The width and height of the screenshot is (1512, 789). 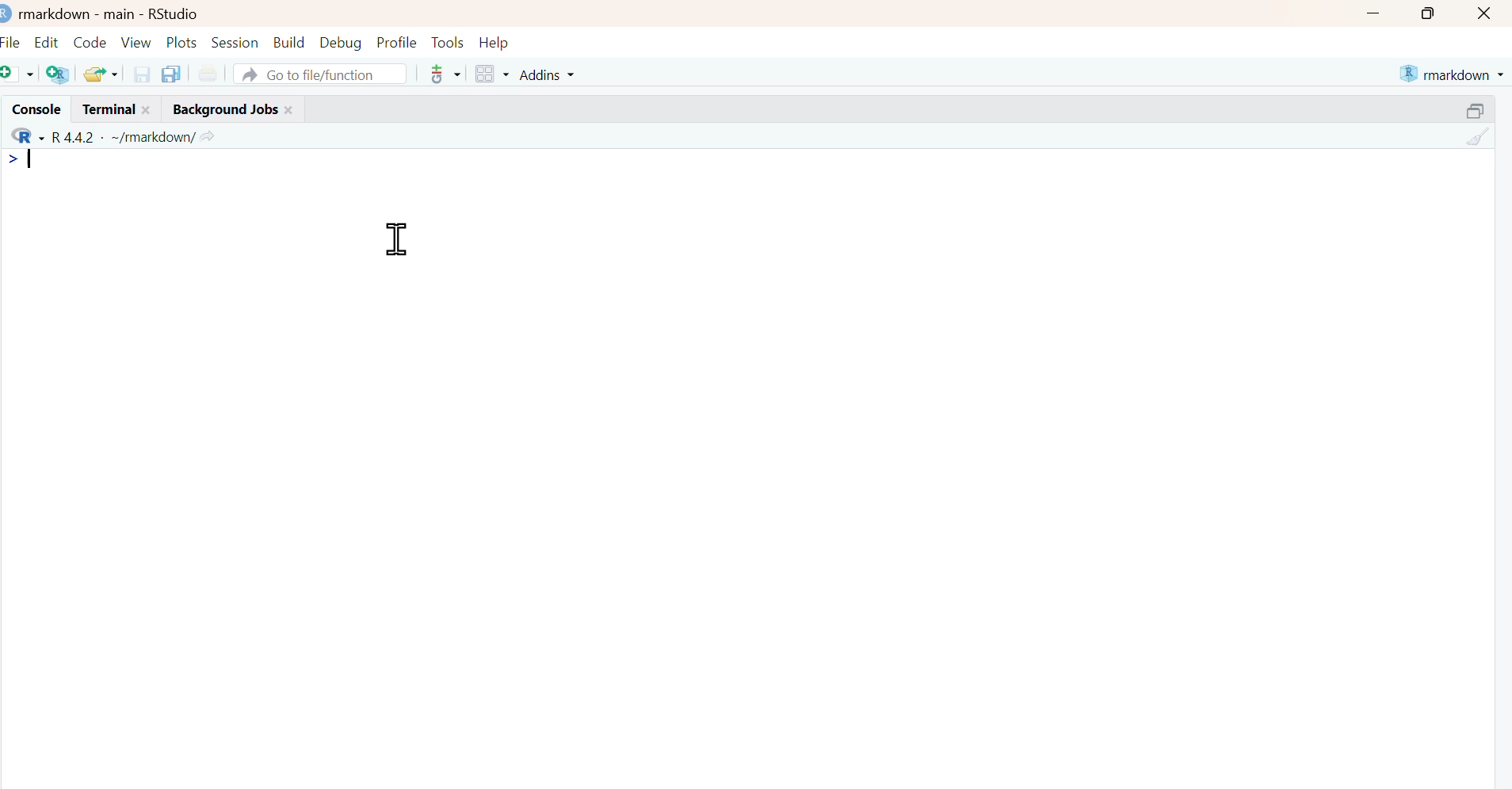 What do you see at coordinates (57, 74) in the screenshot?
I see `create project` at bounding box center [57, 74].